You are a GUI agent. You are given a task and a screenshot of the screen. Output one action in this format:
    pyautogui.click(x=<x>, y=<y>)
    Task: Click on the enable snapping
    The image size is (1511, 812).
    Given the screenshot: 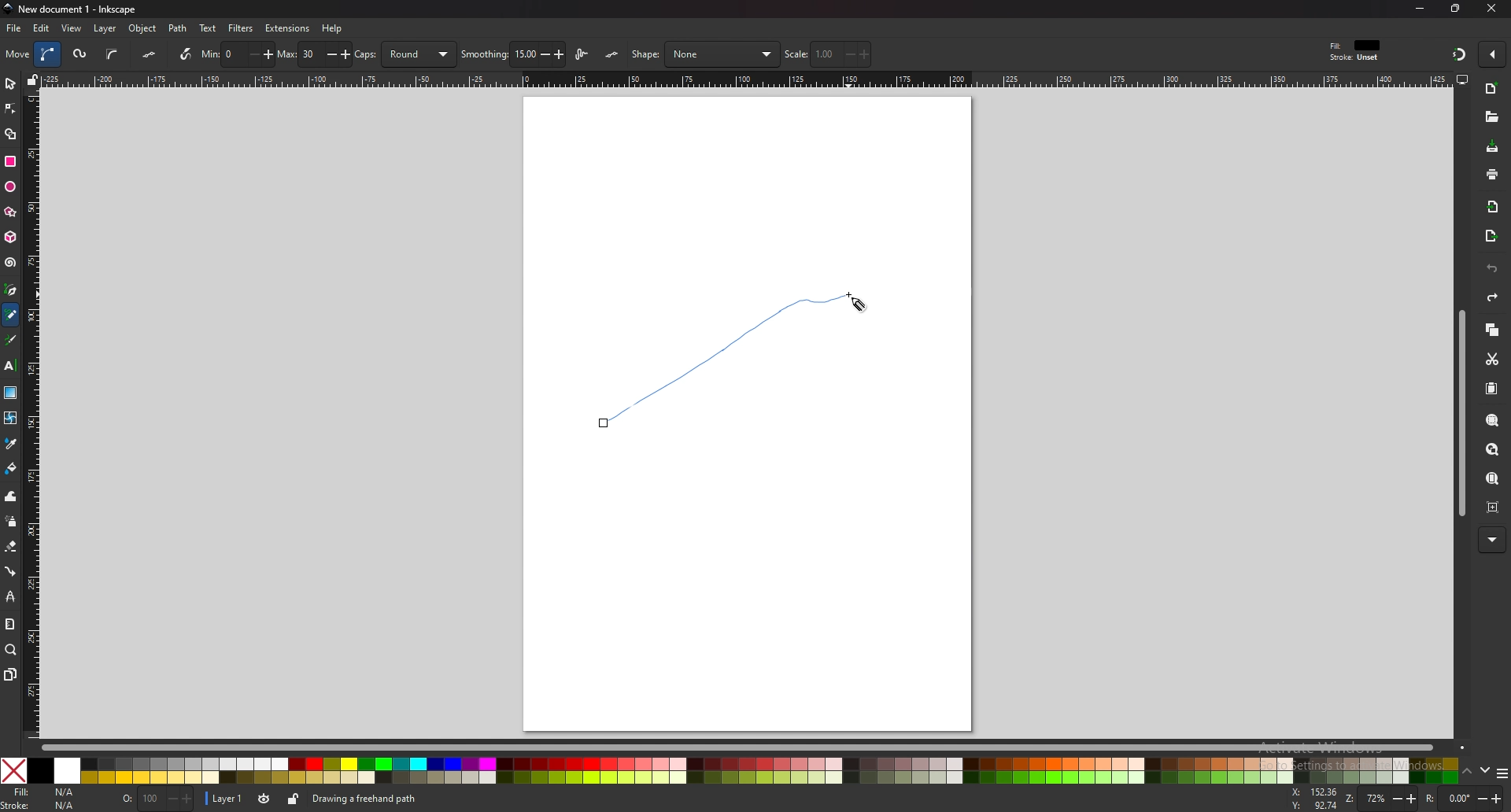 What is the action you would take?
    pyautogui.click(x=1491, y=54)
    